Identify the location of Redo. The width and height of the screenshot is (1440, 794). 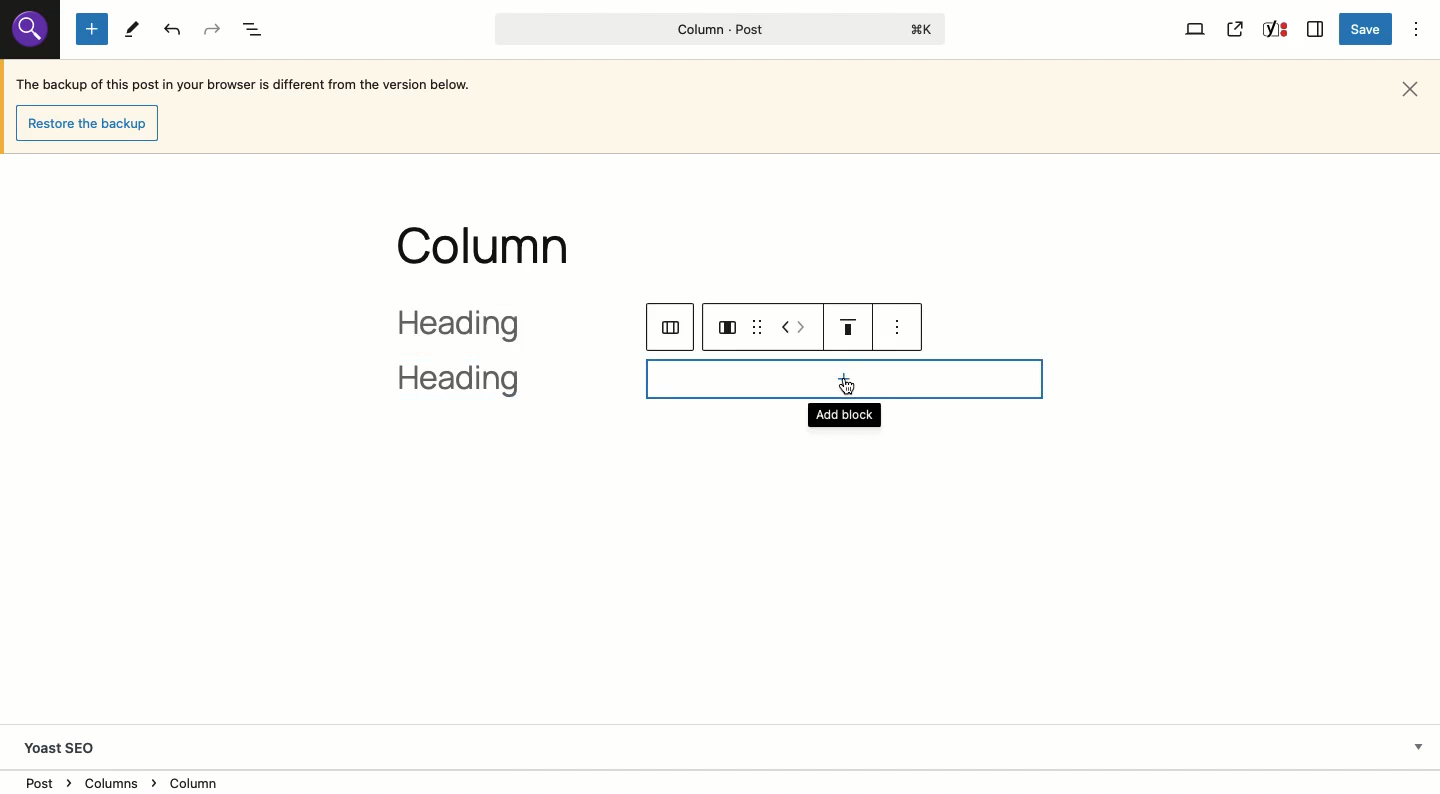
(213, 30).